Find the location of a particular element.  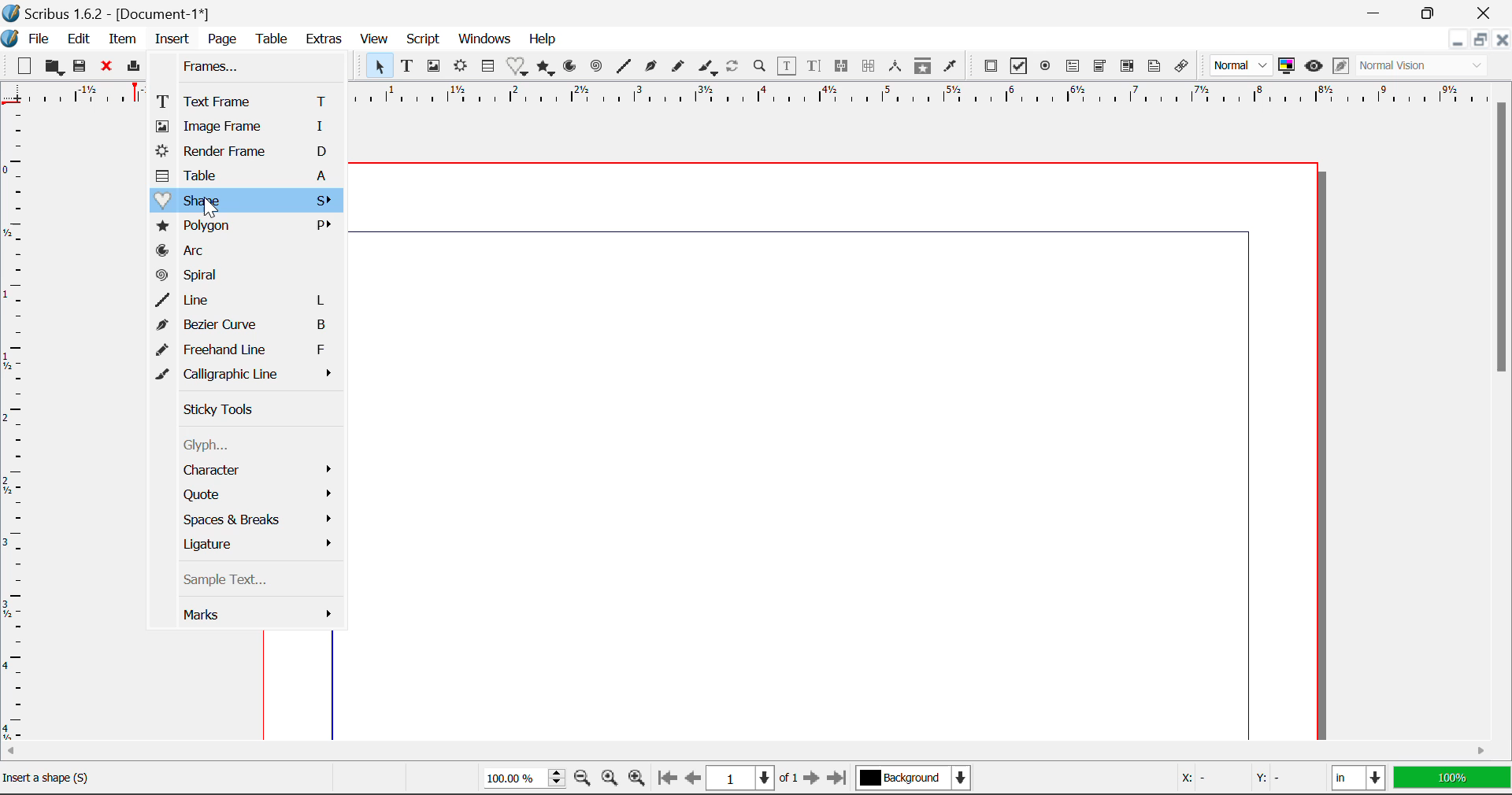

Freehand Curve is located at coordinates (680, 66).